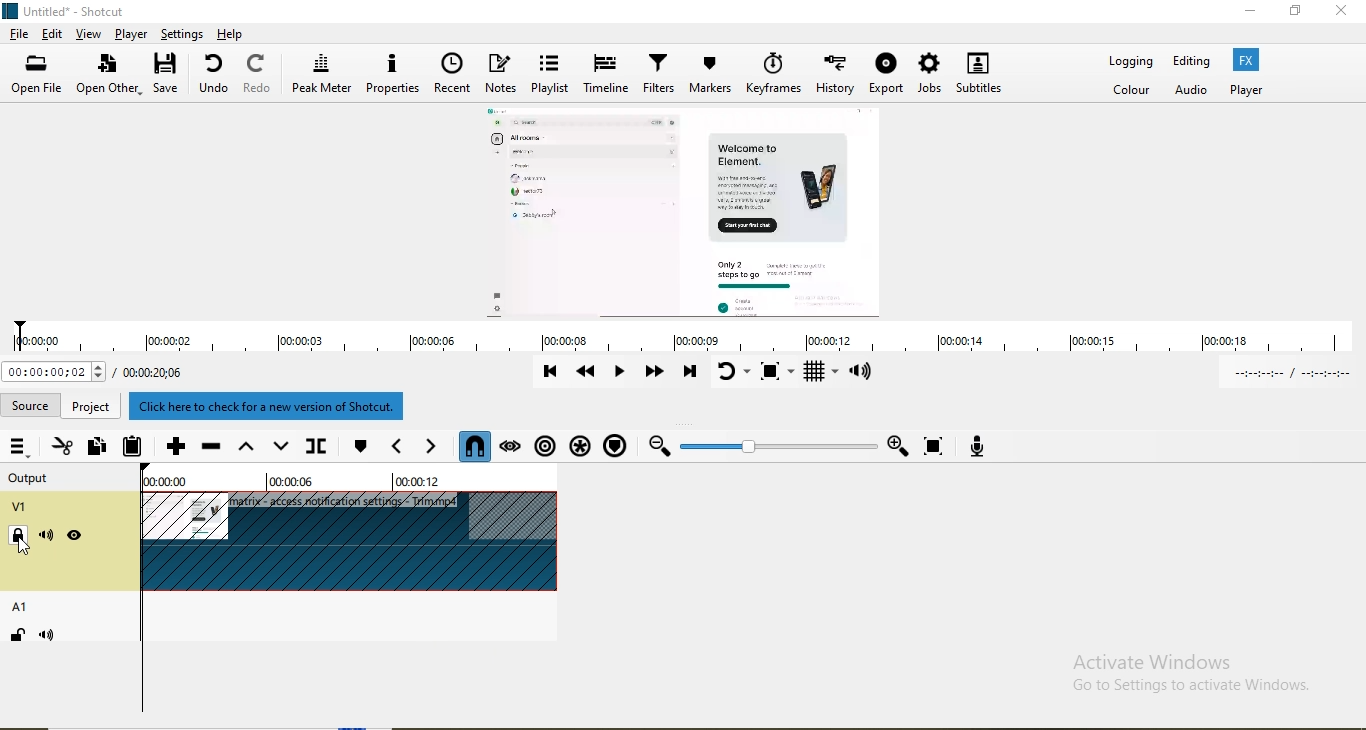 The height and width of the screenshot is (730, 1366). Describe the element at coordinates (349, 542) in the screenshot. I see `Video track` at that location.